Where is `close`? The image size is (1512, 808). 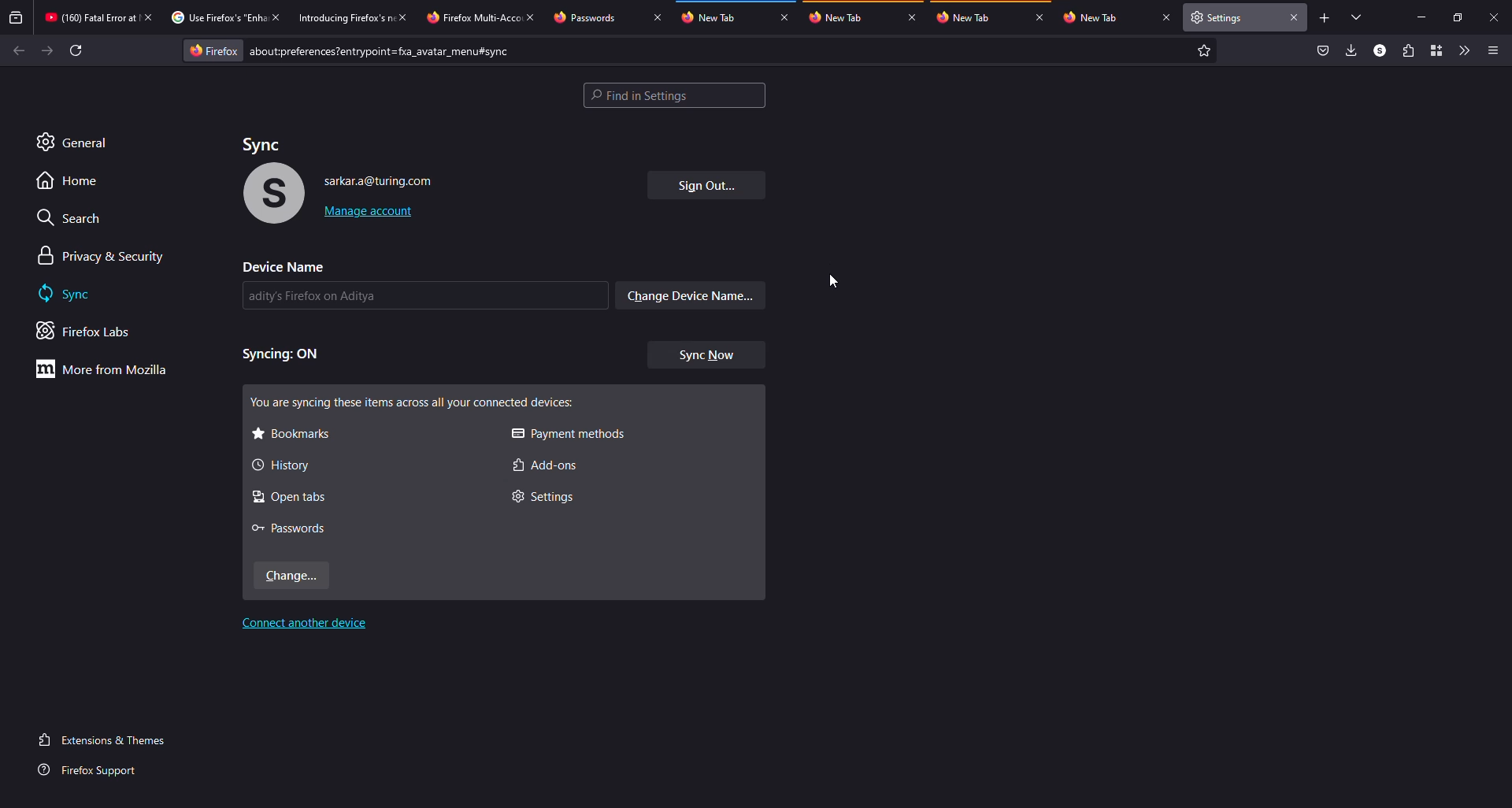
close is located at coordinates (1496, 15).